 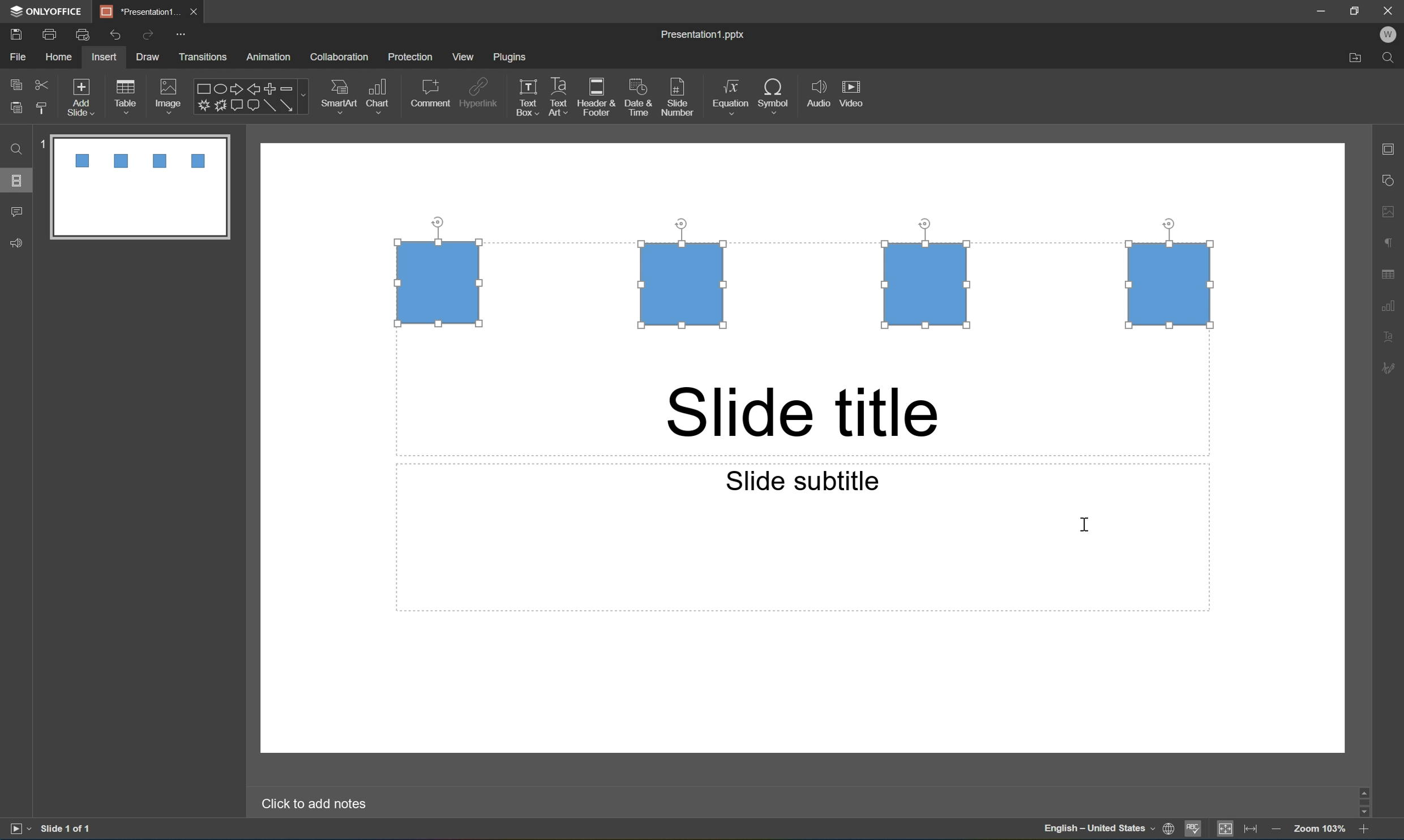 I want to click on Find, so click(x=1392, y=57).